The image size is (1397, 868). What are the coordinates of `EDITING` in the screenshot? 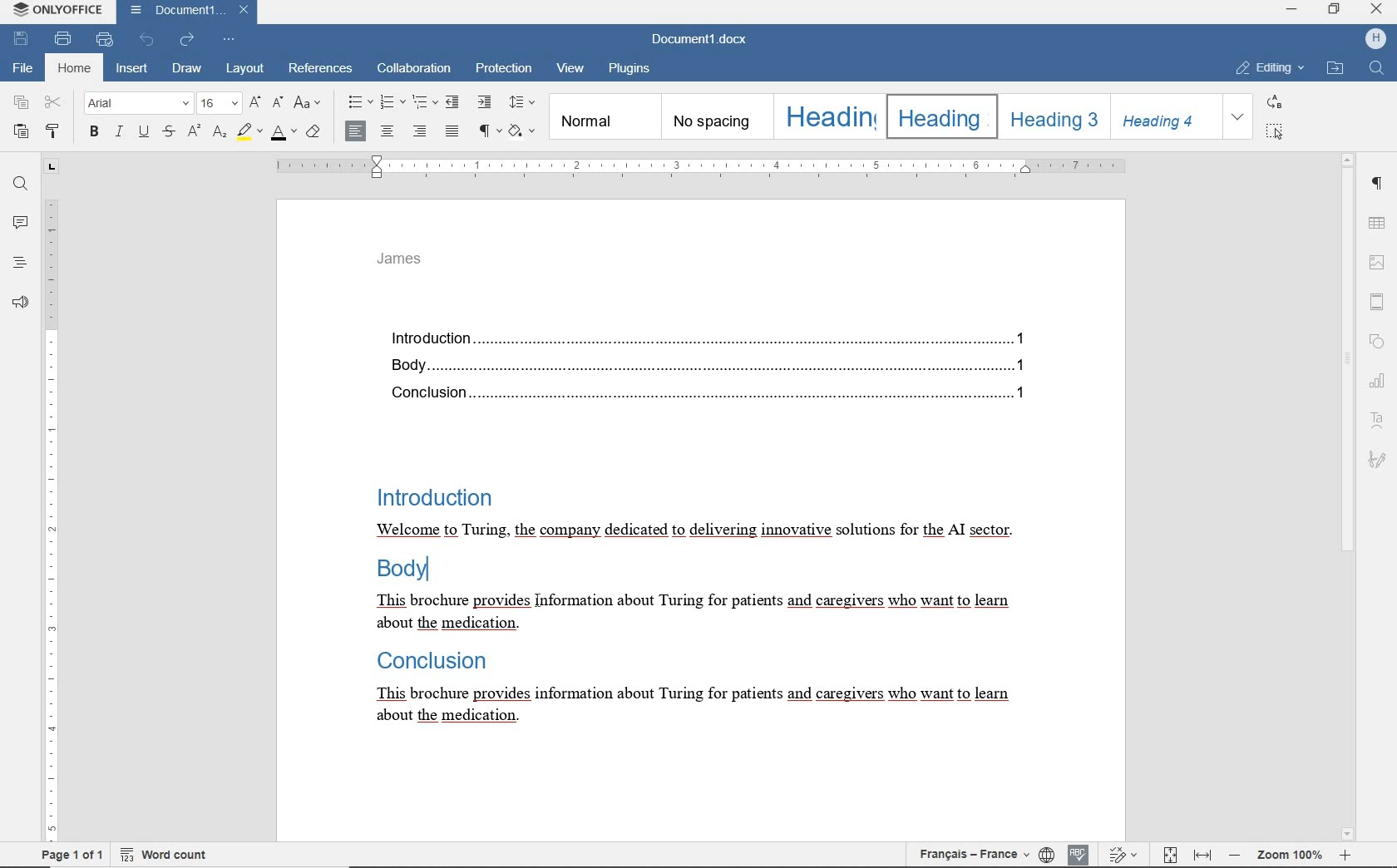 It's located at (1267, 69).